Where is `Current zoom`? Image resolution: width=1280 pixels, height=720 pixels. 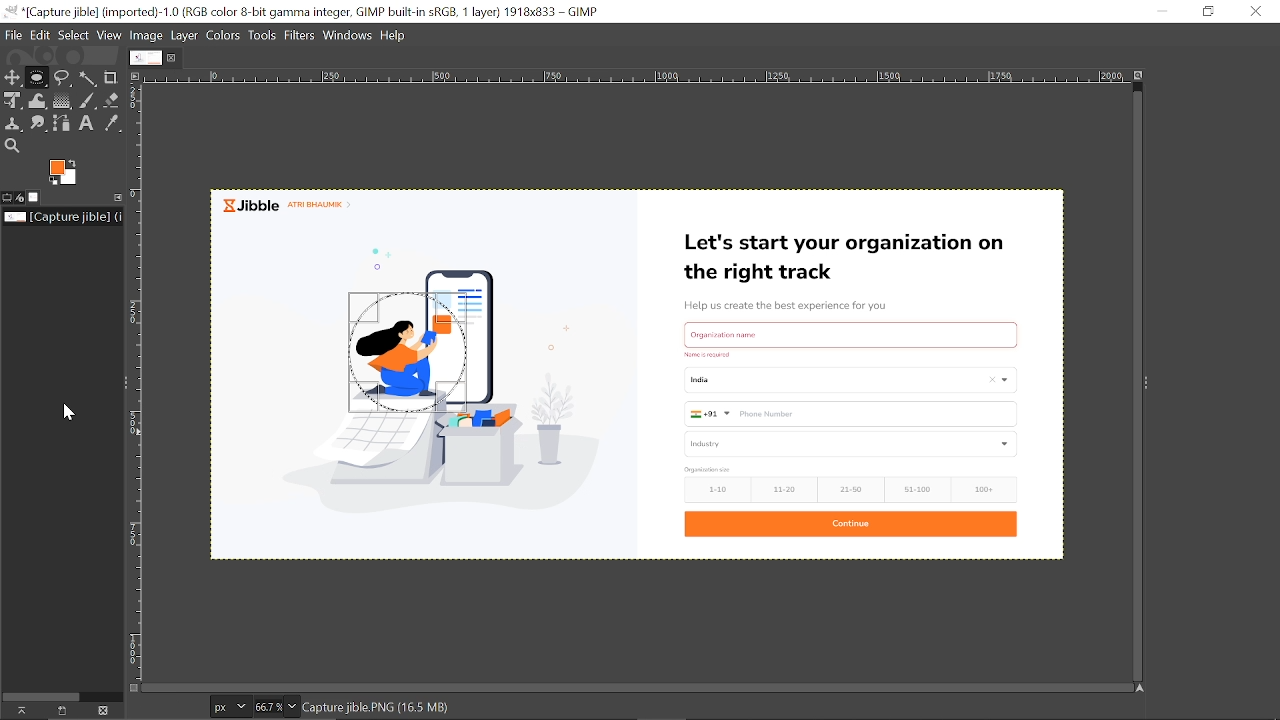 Current zoom is located at coordinates (266, 707).